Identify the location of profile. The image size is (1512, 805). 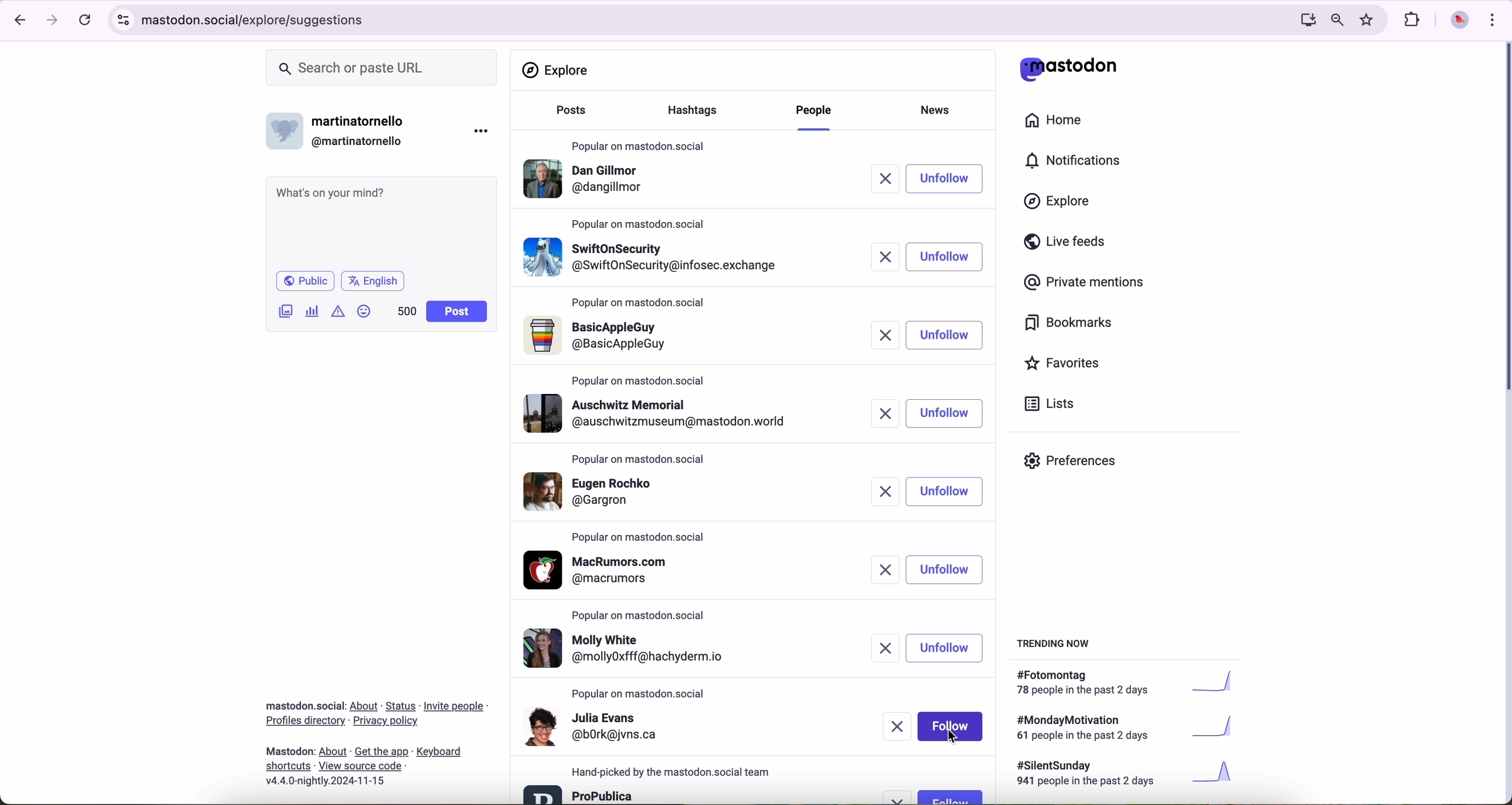
(662, 413).